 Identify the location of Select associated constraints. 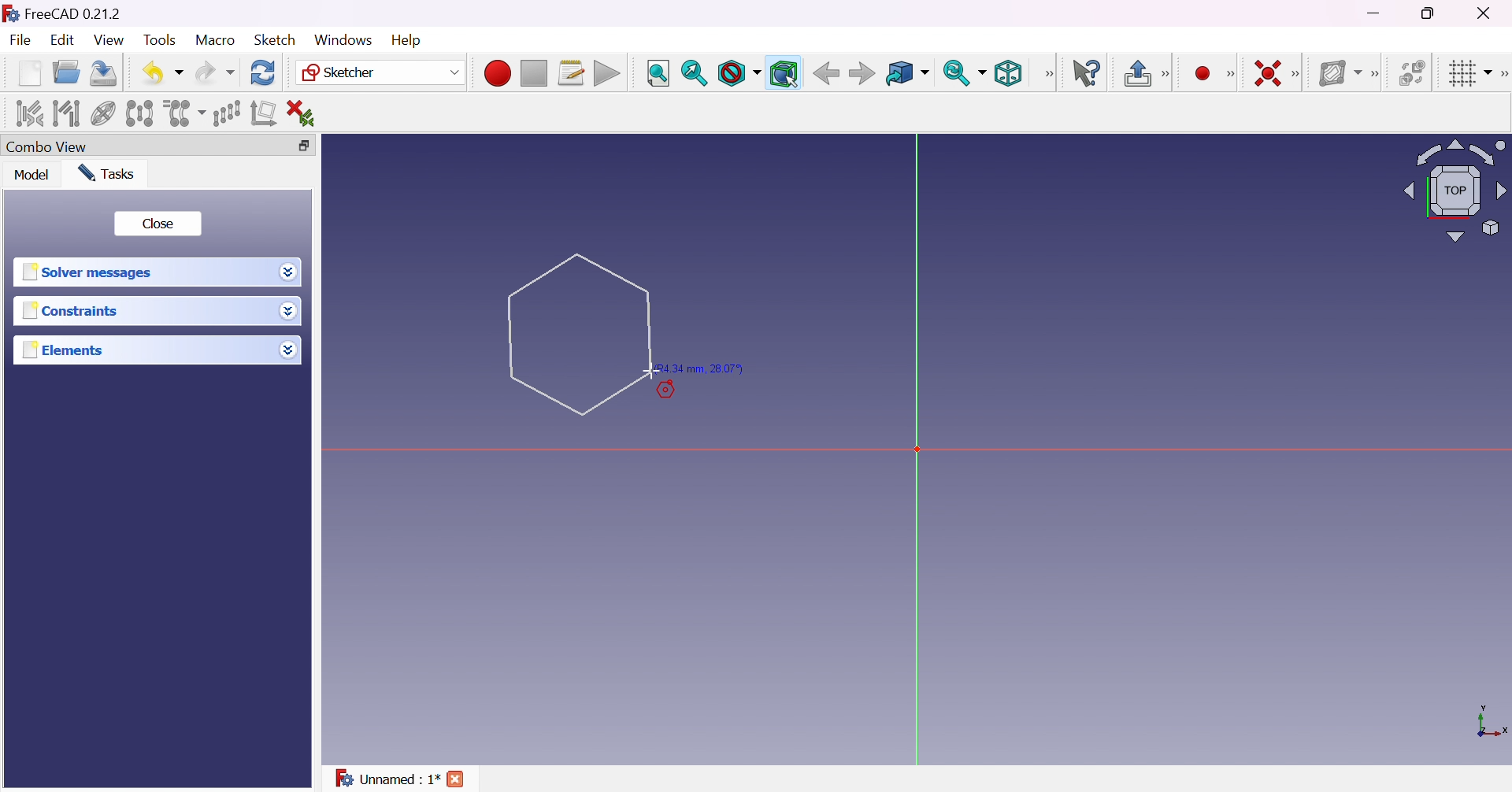
(31, 113).